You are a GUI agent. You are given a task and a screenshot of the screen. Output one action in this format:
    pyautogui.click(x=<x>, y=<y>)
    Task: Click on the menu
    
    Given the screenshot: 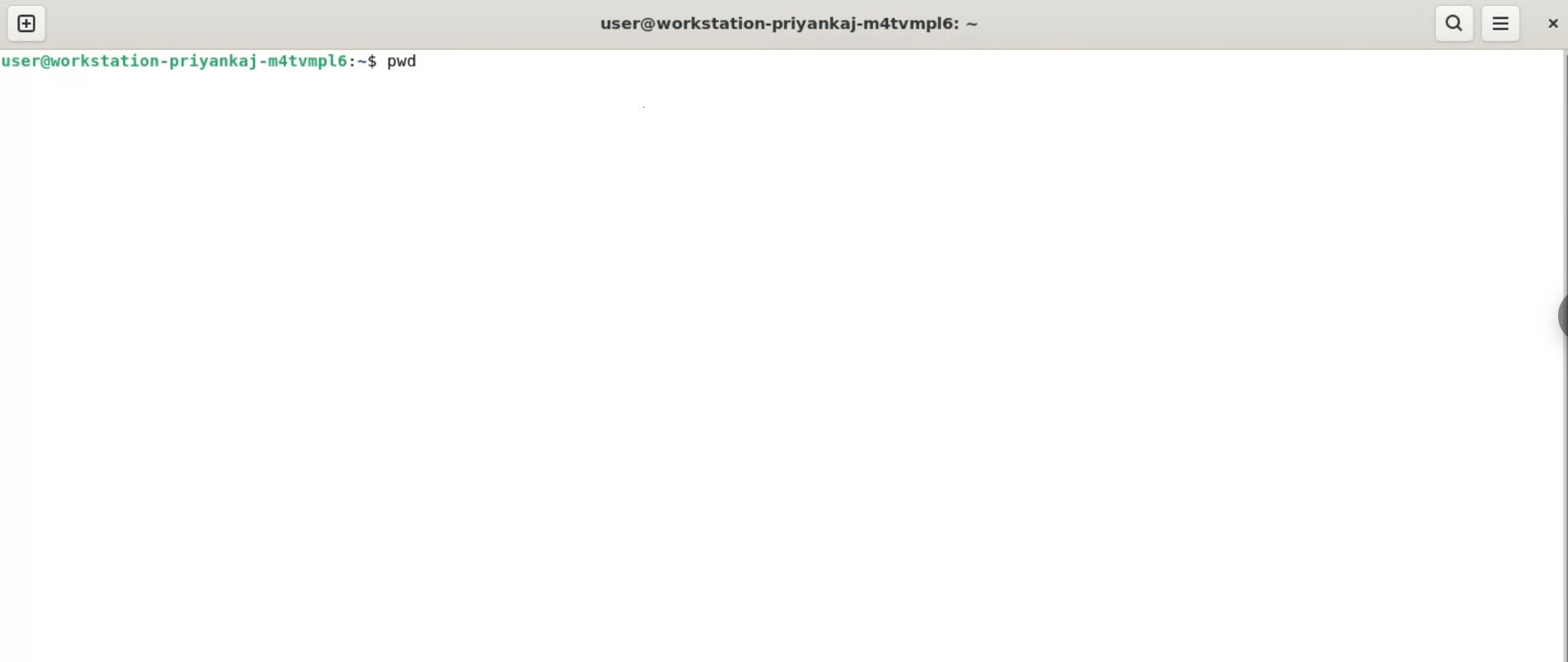 What is the action you would take?
    pyautogui.click(x=1502, y=22)
    